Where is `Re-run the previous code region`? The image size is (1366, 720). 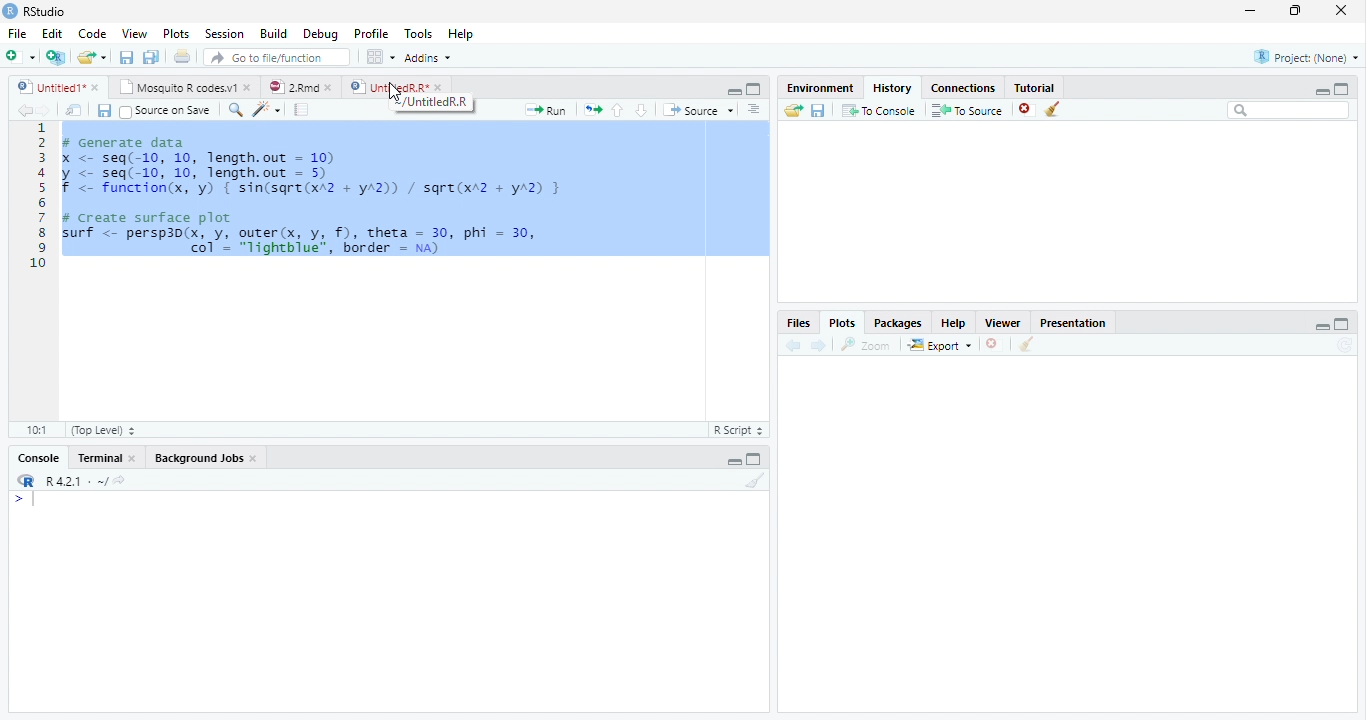
Re-run the previous code region is located at coordinates (592, 109).